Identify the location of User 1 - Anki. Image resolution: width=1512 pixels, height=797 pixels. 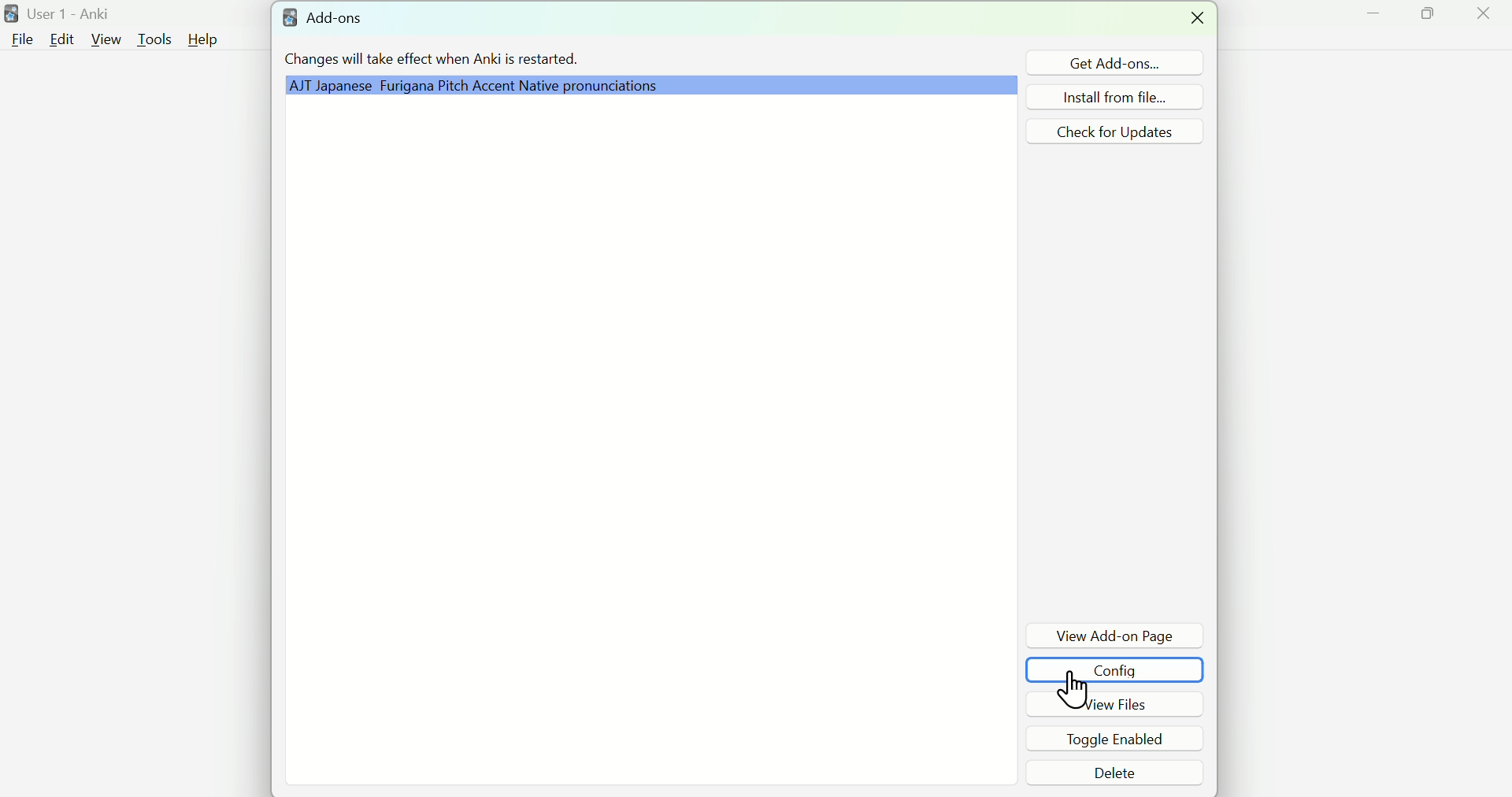
(61, 12).